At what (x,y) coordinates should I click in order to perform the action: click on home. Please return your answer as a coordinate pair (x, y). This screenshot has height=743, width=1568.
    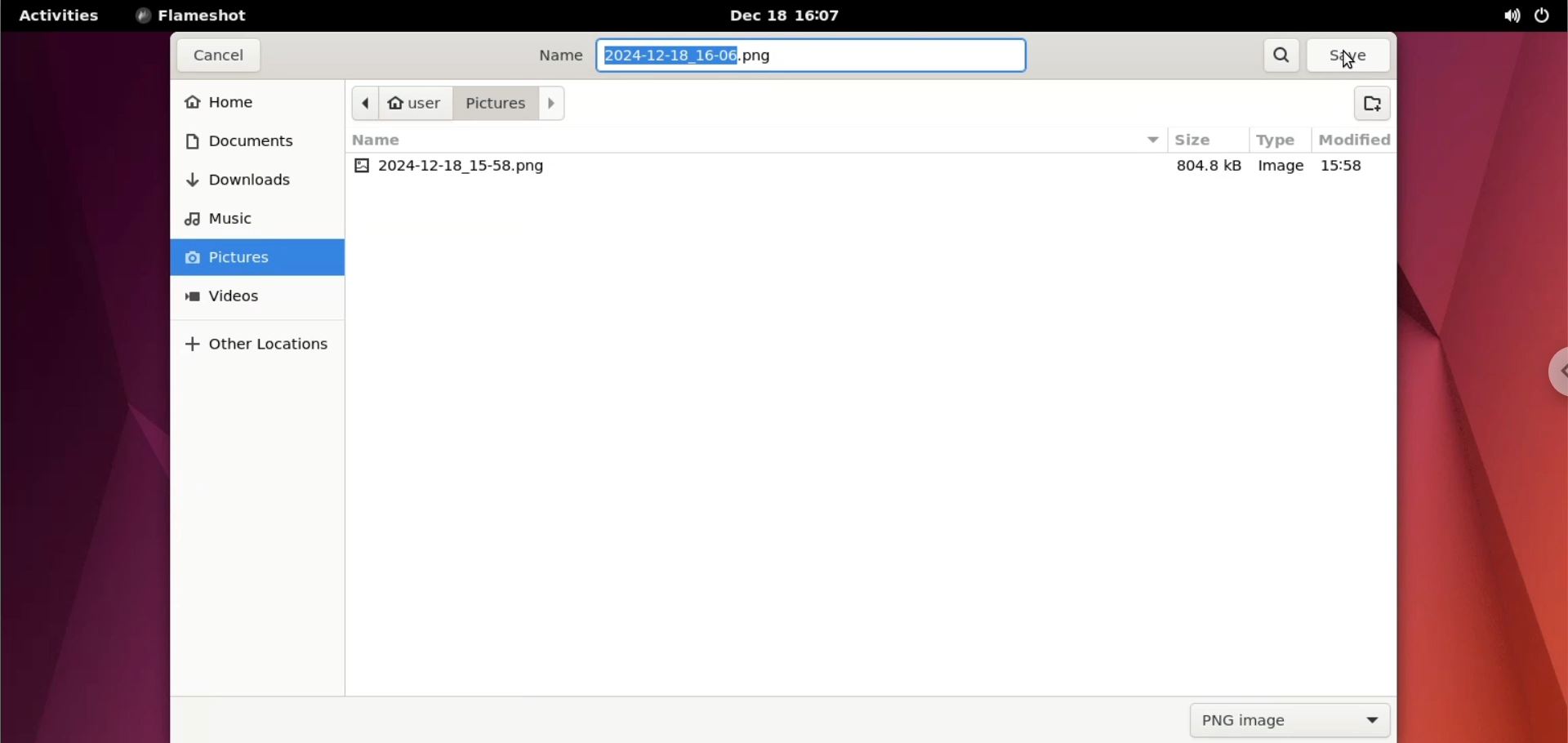
    Looking at the image, I should click on (256, 104).